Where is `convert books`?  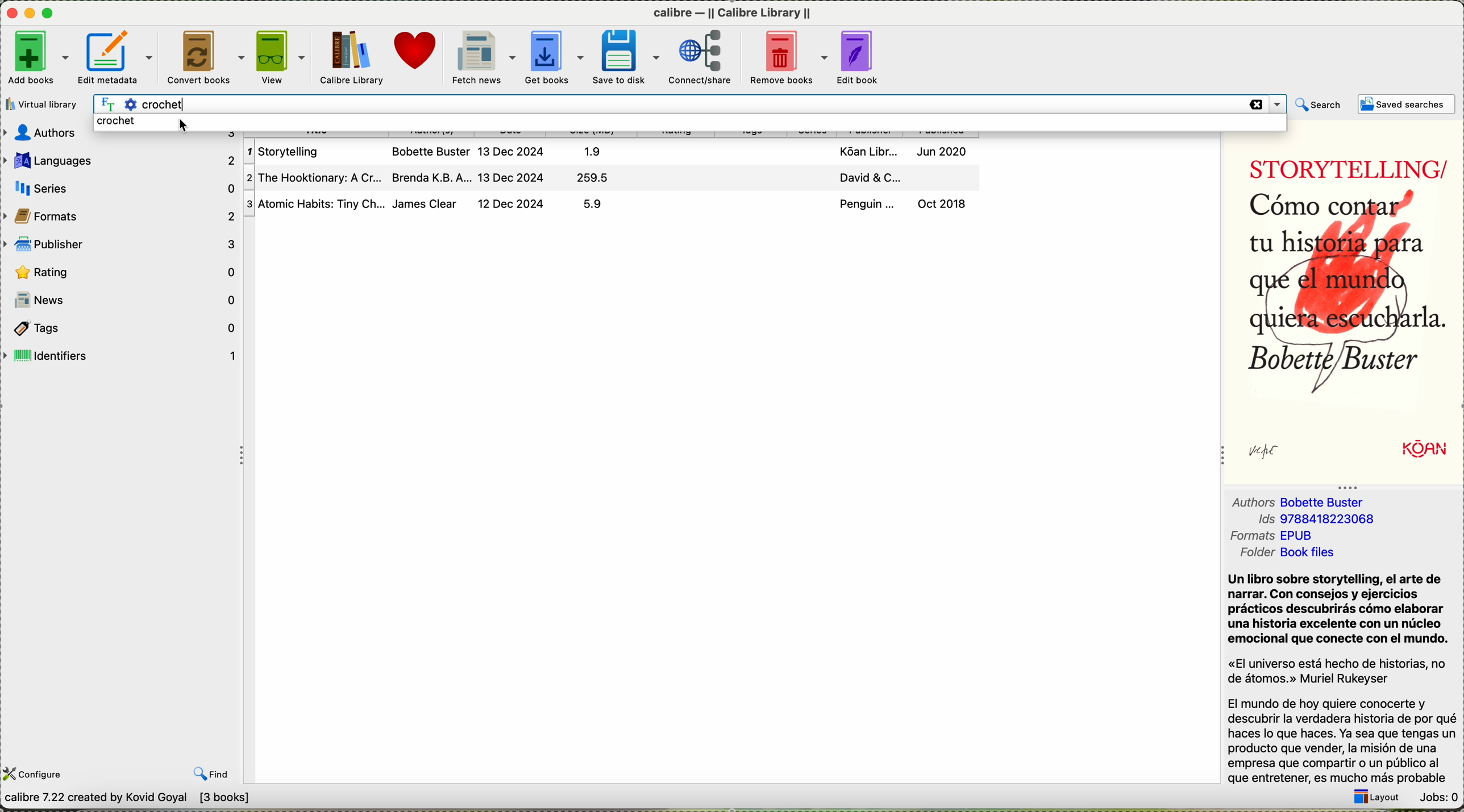 convert books is located at coordinates (204, 56).